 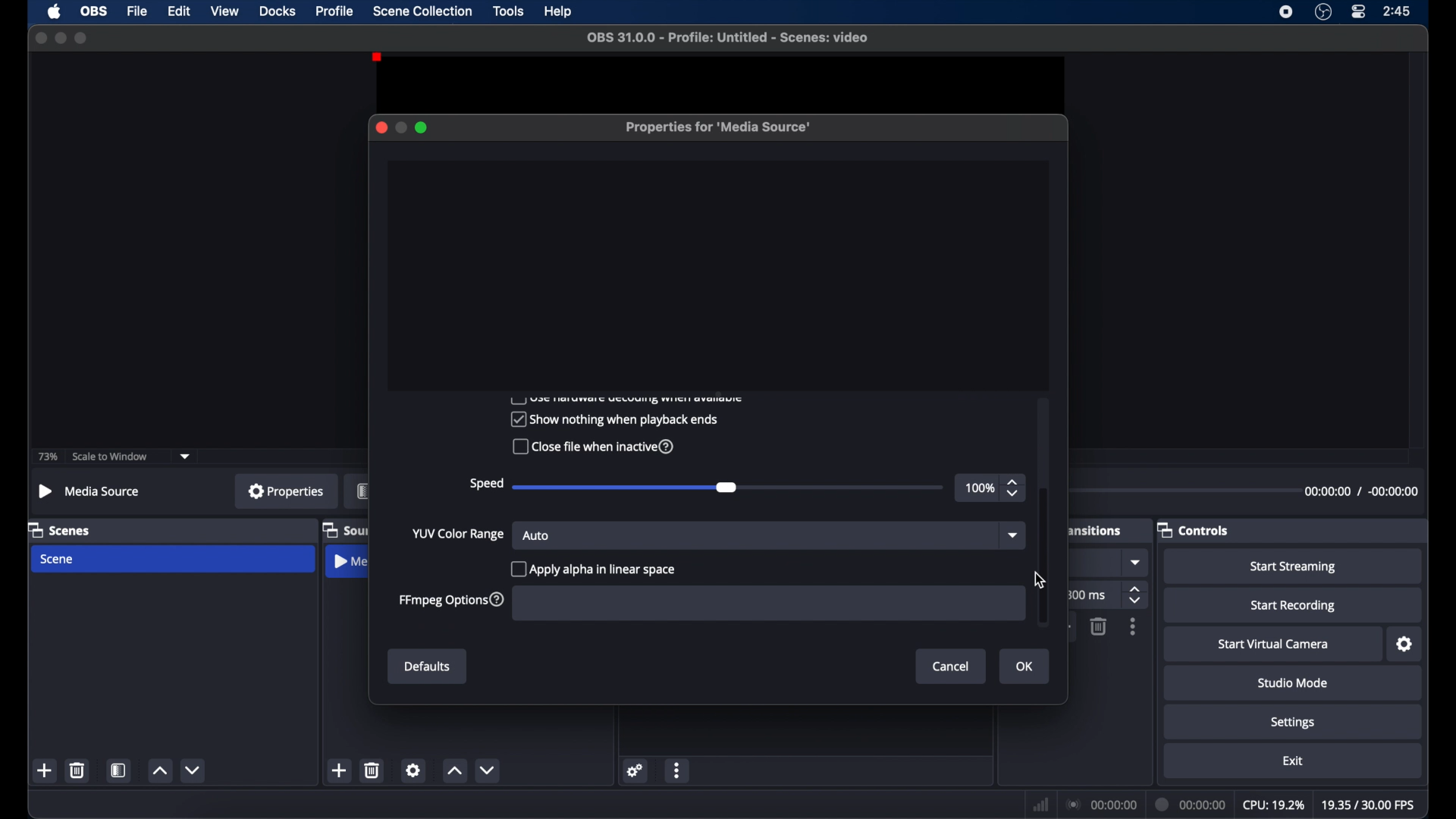 What do you see at coordinates (1011, 536) in the screenshot?
I see `dropdown` at bounding box center [1011, 536].